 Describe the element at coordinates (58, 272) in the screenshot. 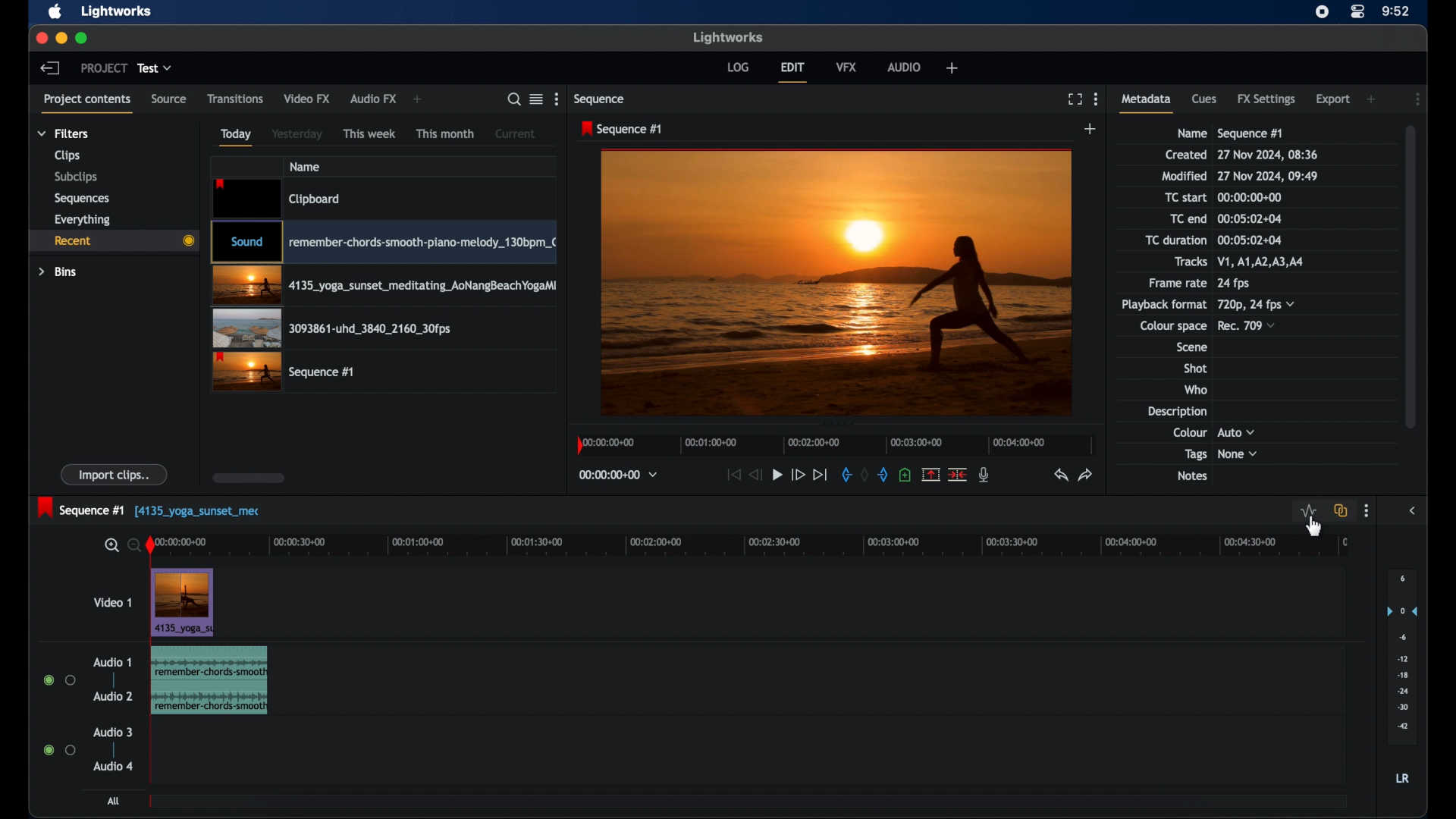

I see `bins` at that location.